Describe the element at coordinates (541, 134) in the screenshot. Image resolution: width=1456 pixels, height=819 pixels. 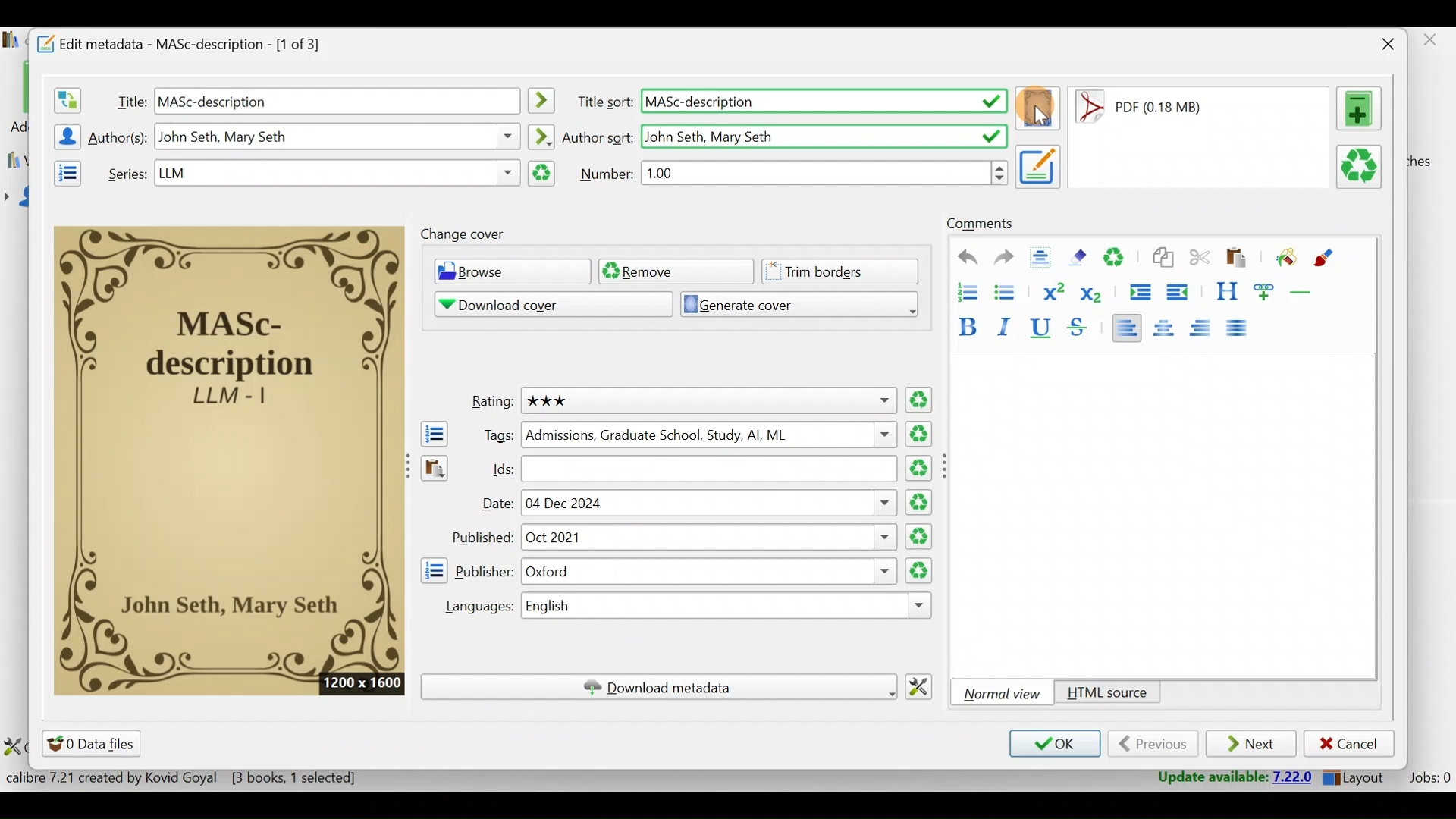
I see `Author sort` at that location.